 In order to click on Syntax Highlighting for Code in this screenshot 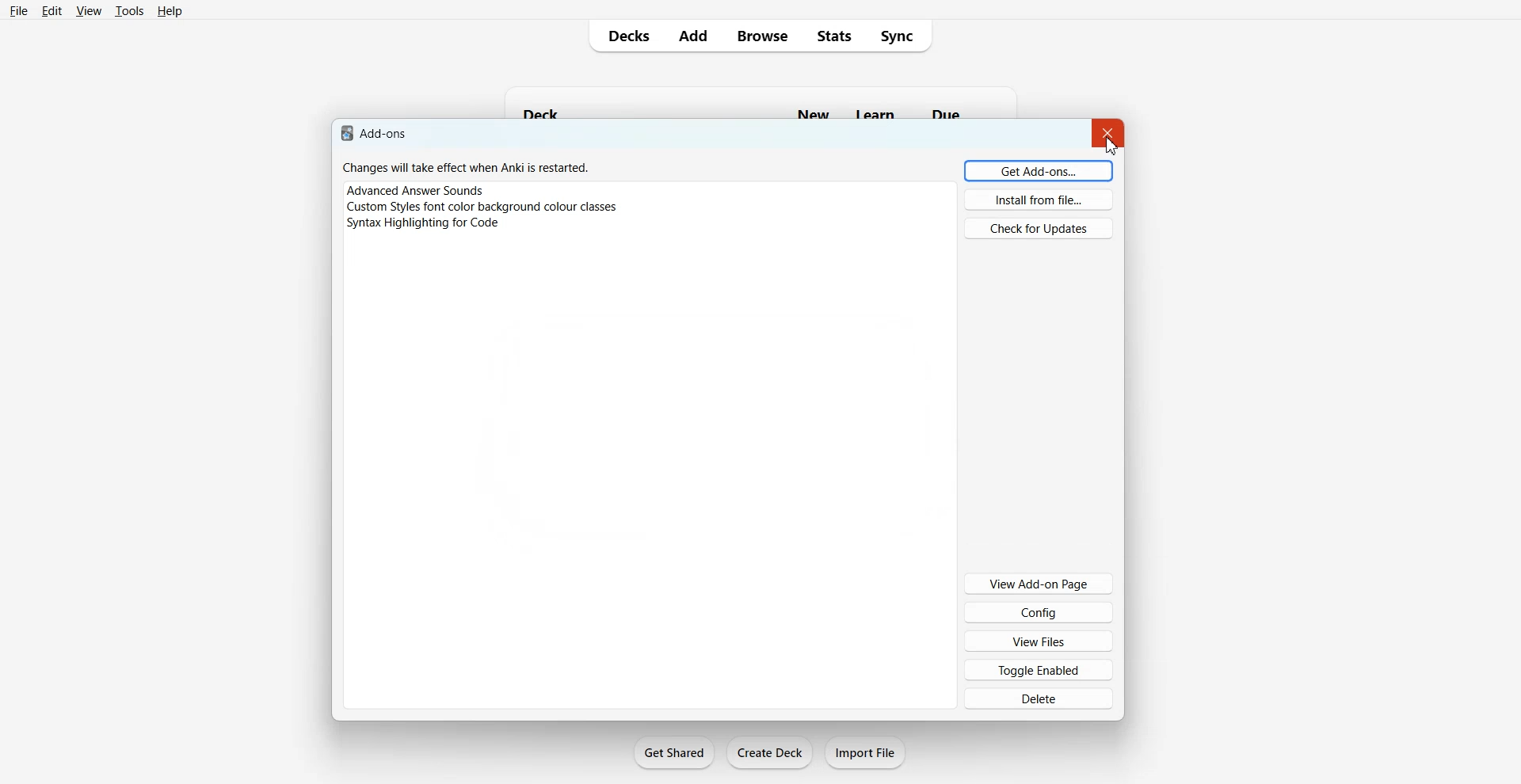, I will do `click(424, 222)`.